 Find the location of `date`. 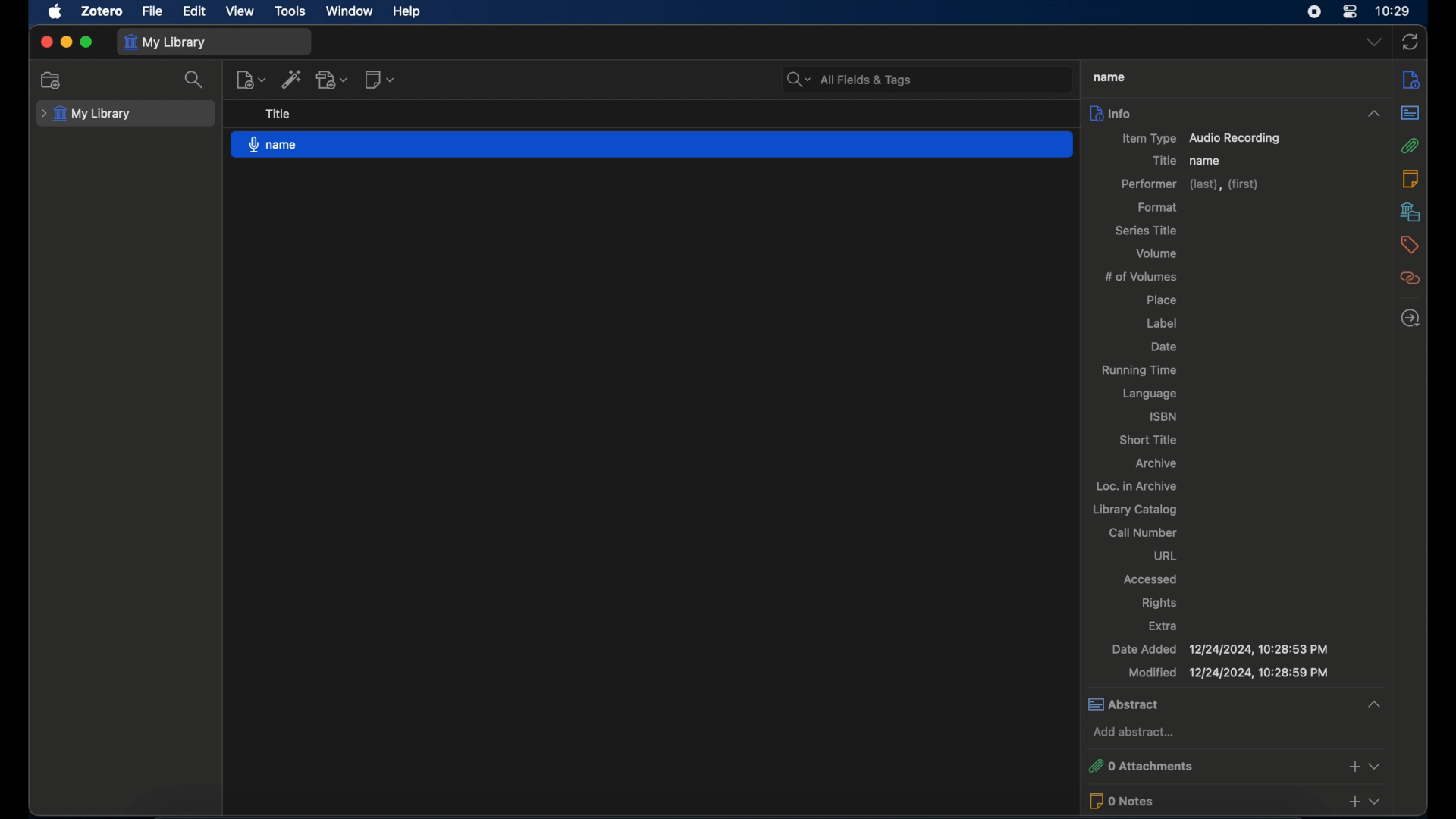

date is located at coordinates (1164, 347).